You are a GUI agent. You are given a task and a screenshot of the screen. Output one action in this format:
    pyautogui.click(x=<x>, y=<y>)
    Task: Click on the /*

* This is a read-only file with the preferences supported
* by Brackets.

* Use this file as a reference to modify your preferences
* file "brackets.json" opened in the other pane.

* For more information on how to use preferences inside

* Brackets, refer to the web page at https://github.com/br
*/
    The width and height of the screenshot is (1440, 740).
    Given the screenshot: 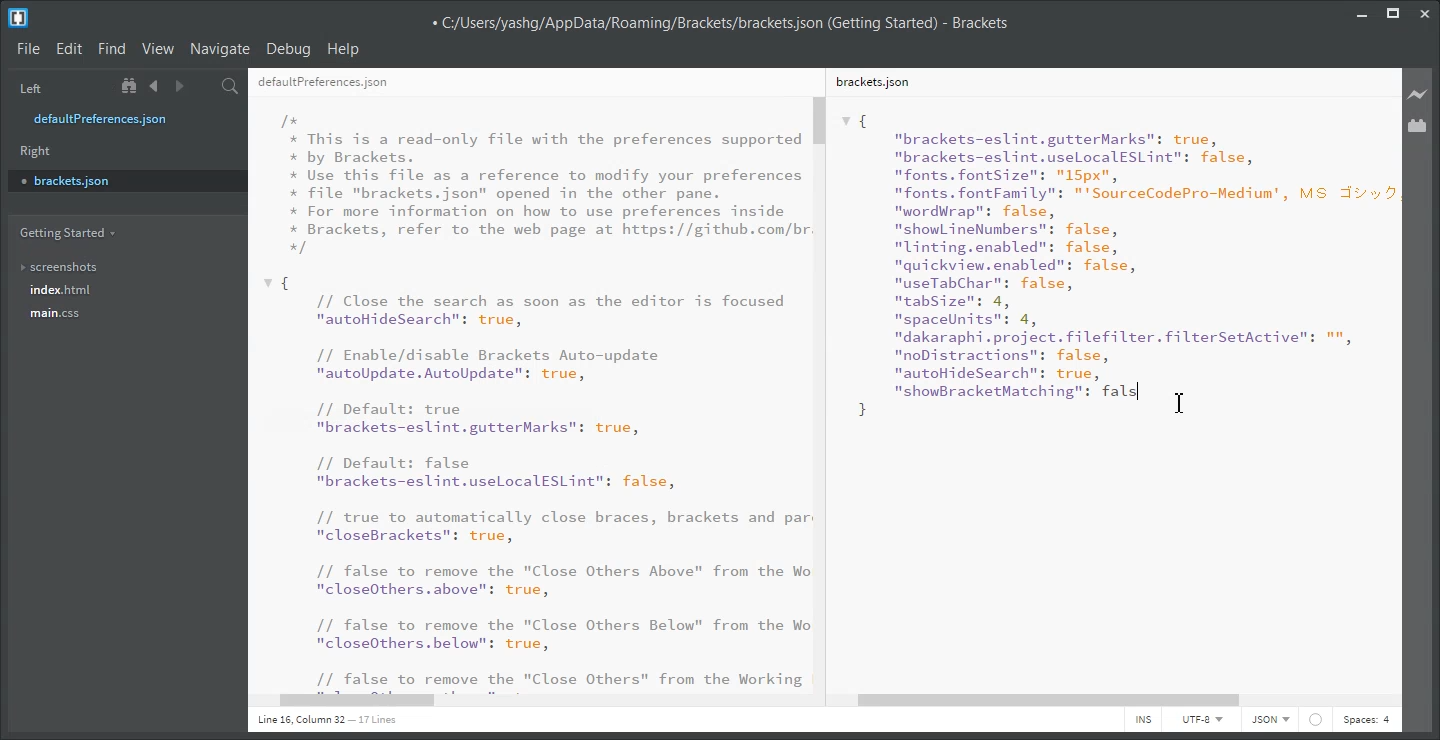 What is the action you would take?
    pyautogui.click(x=546, y=184)
    